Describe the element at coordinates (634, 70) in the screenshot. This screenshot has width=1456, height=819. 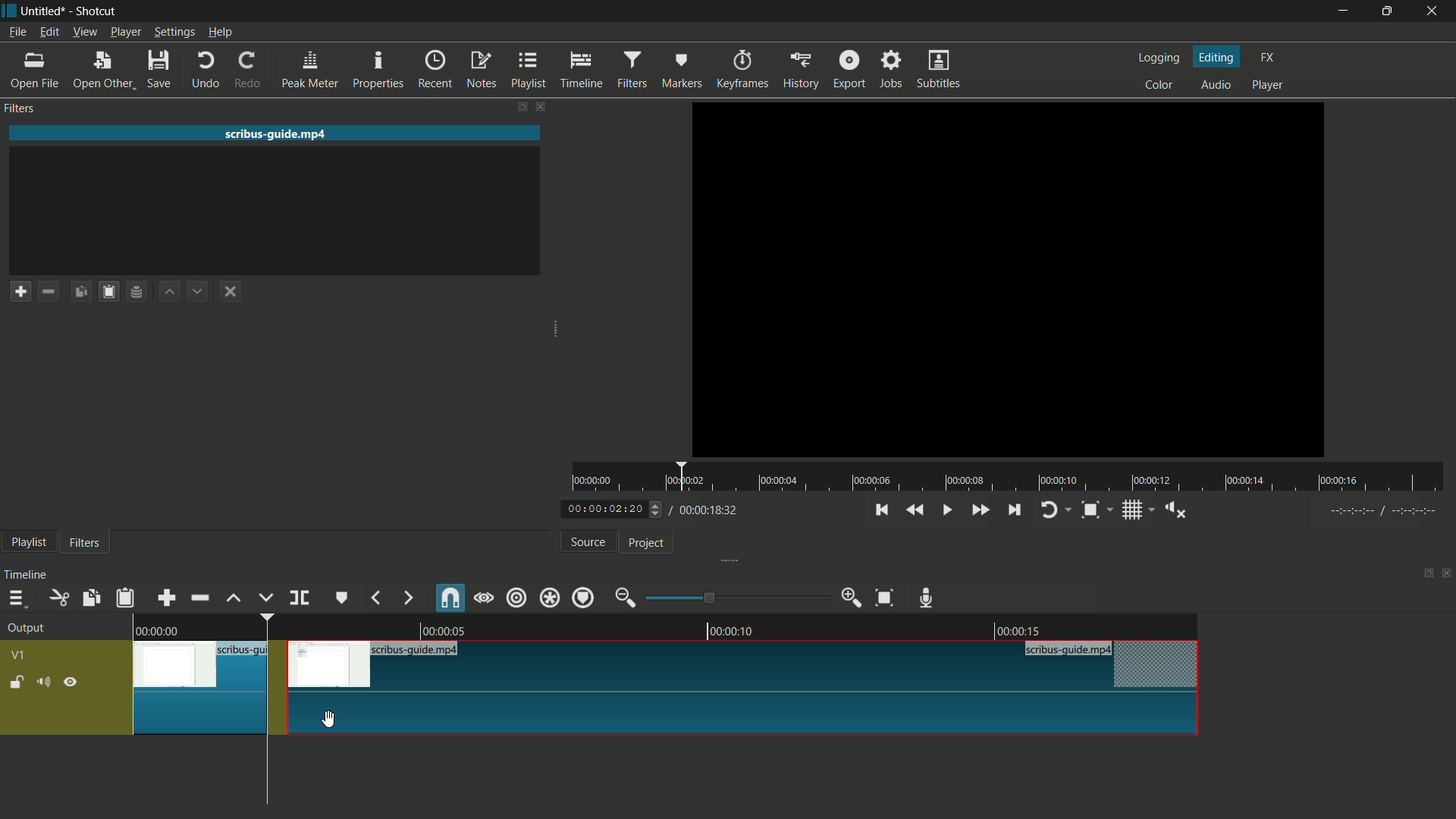
I see `filters` at that location.